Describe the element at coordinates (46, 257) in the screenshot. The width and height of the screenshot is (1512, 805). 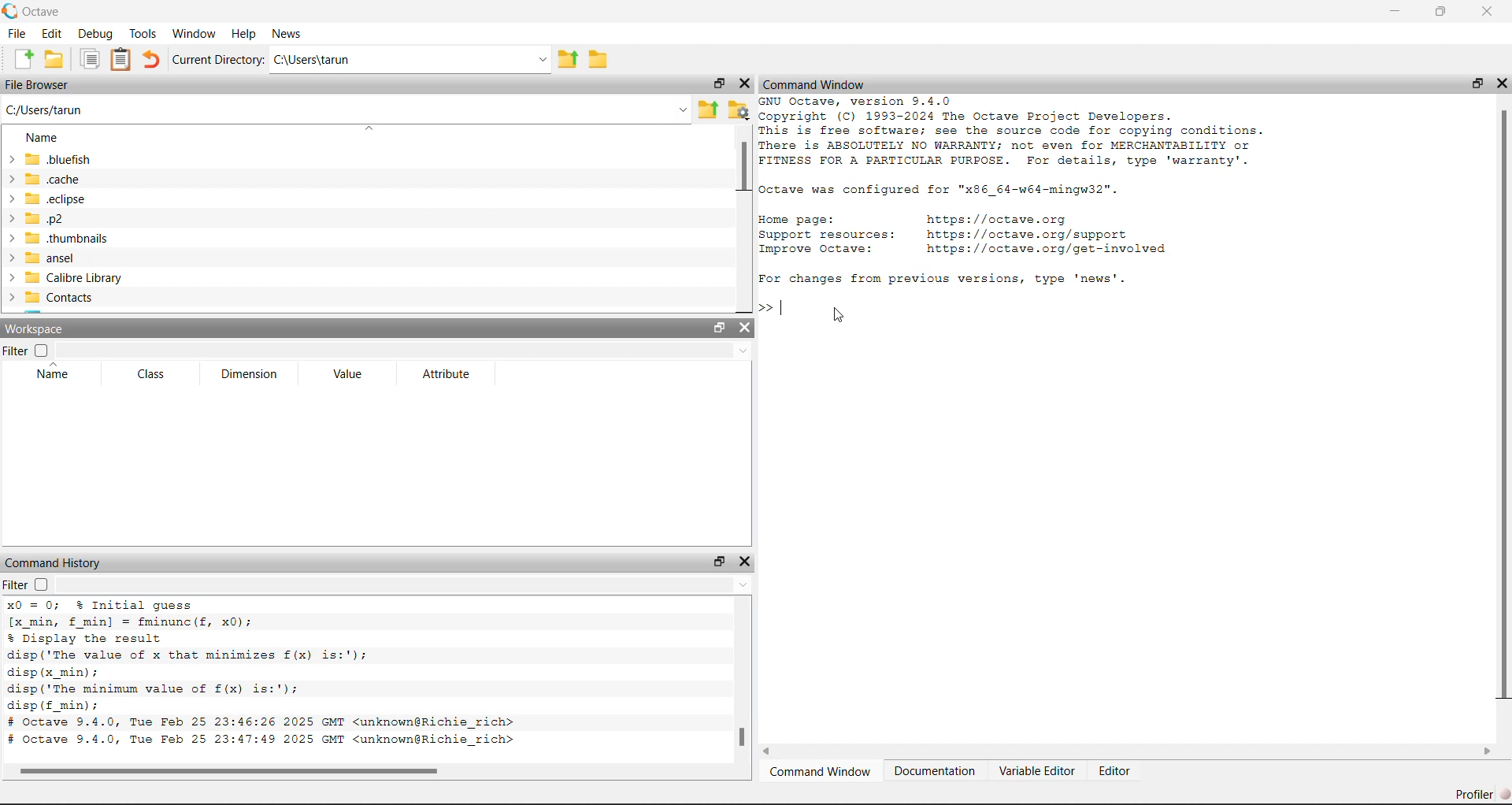
I see `> ansel` at that location.